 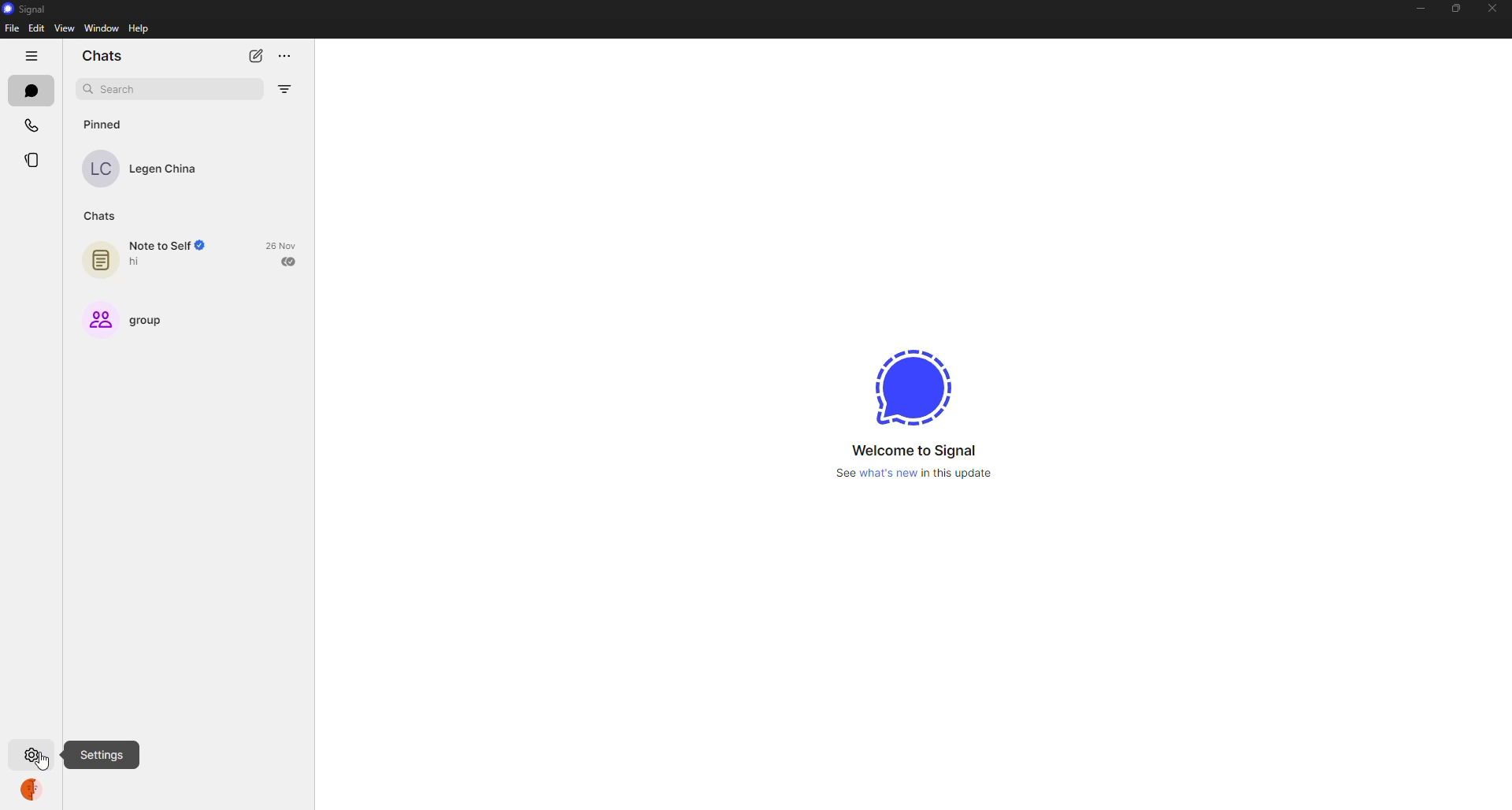 What do you see at coordinates (139, 29) in the screenshot?
I see `help` at bounding box center [139, 29].